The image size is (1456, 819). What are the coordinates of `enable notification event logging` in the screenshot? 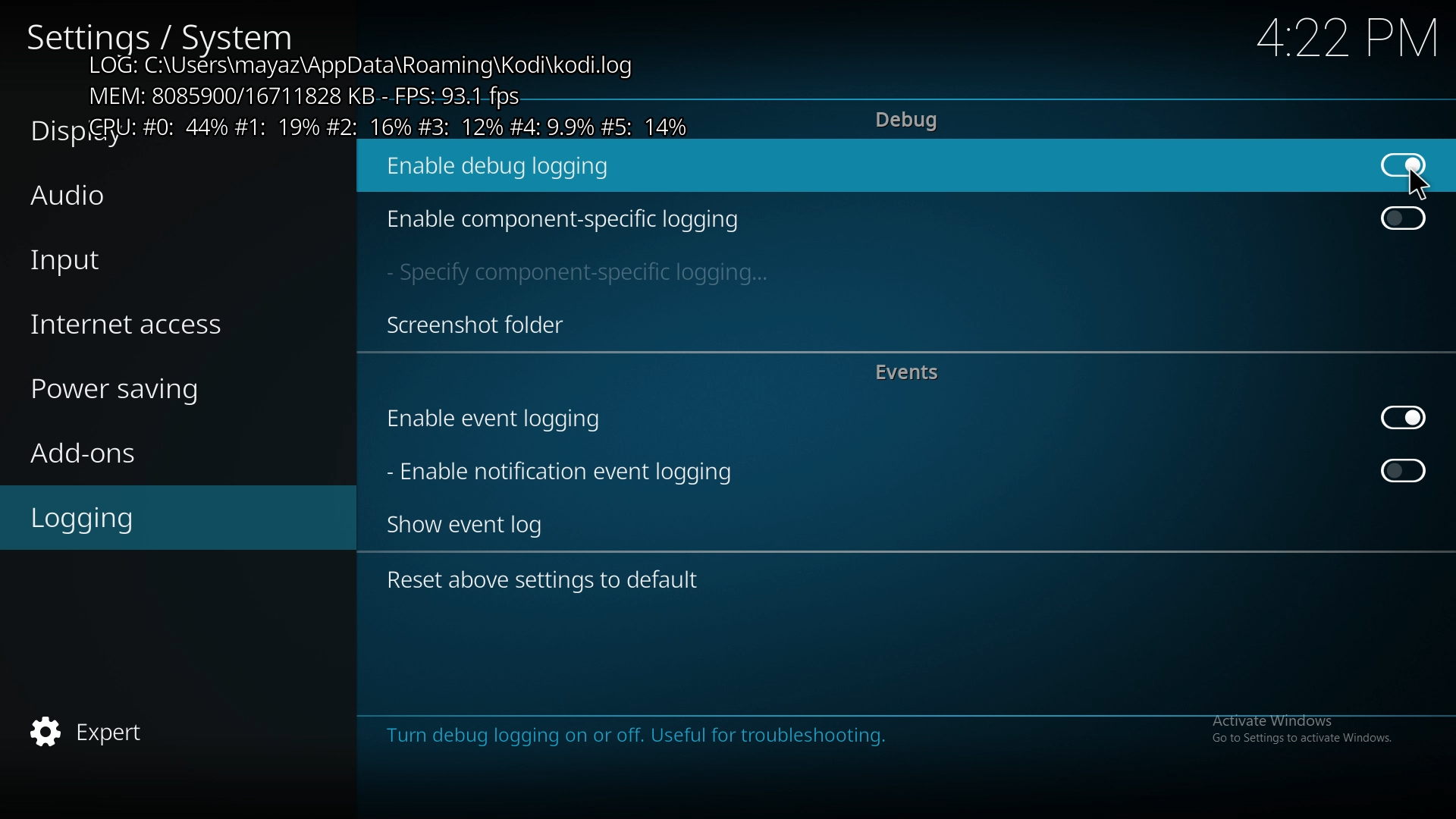 It's located at (569, 471).